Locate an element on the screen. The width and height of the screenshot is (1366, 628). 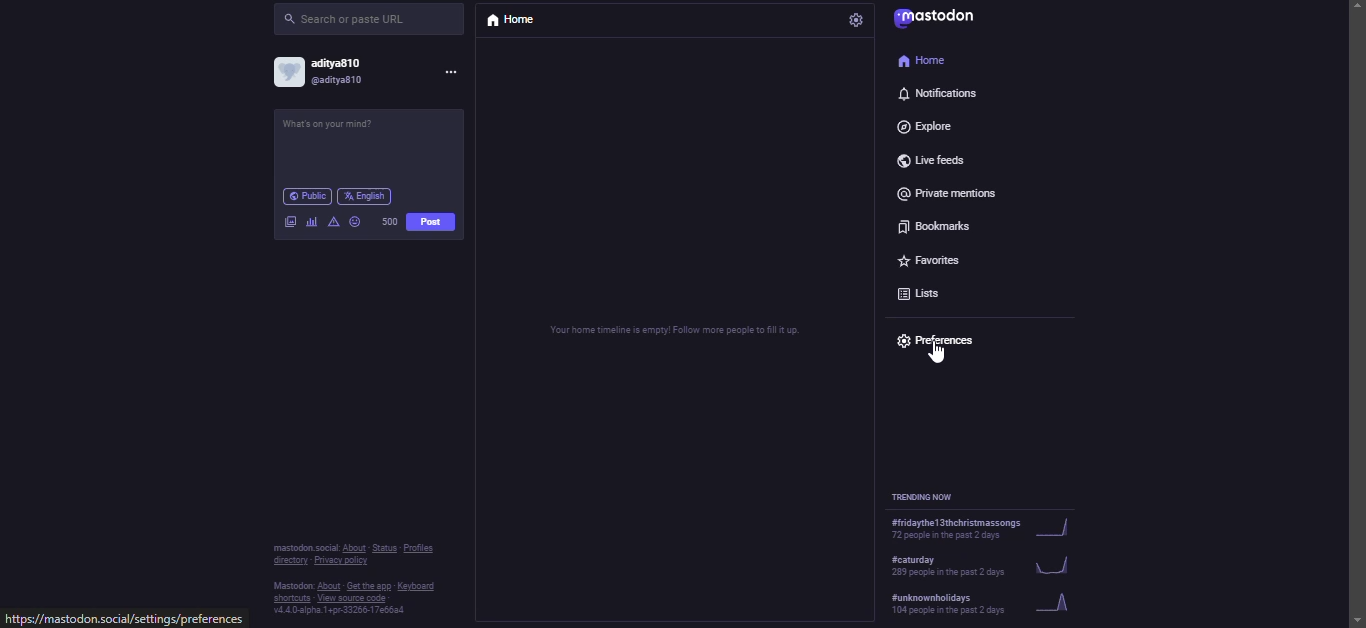
image is located at coordinates (289, 220).